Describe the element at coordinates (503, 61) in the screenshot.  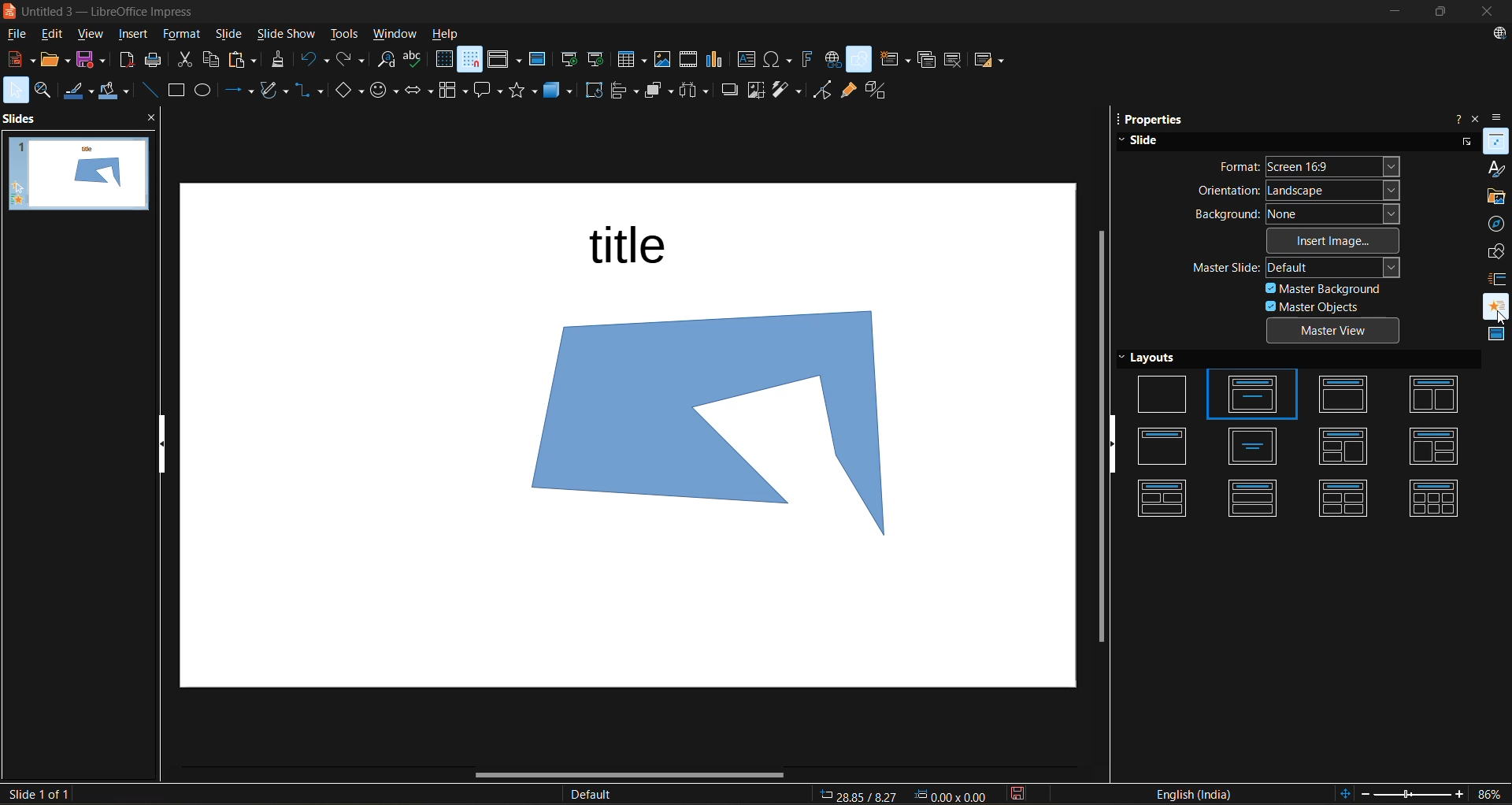
I see `display views` at that location.